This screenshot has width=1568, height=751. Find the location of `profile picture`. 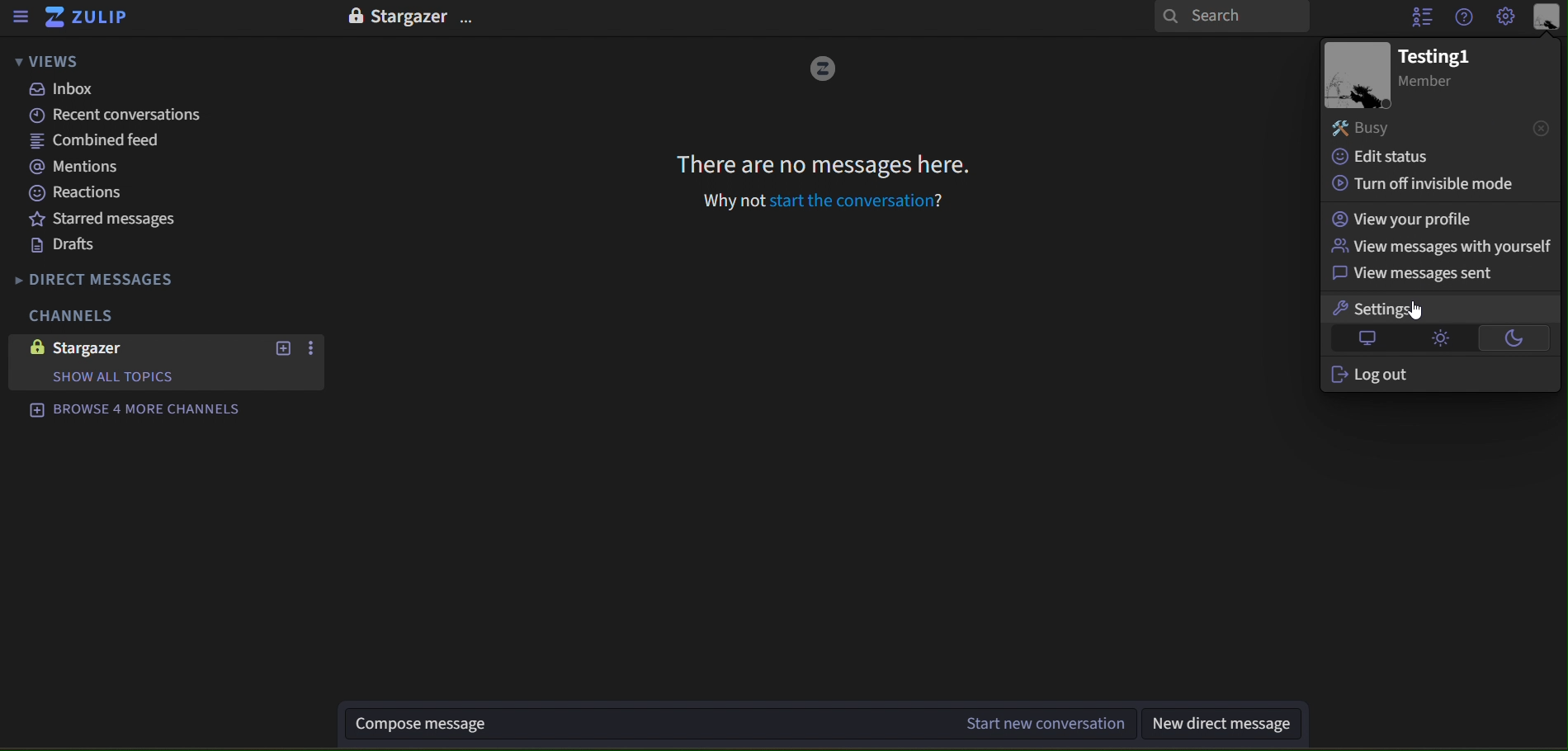

profile picture is located at coordinates (1354, 74).